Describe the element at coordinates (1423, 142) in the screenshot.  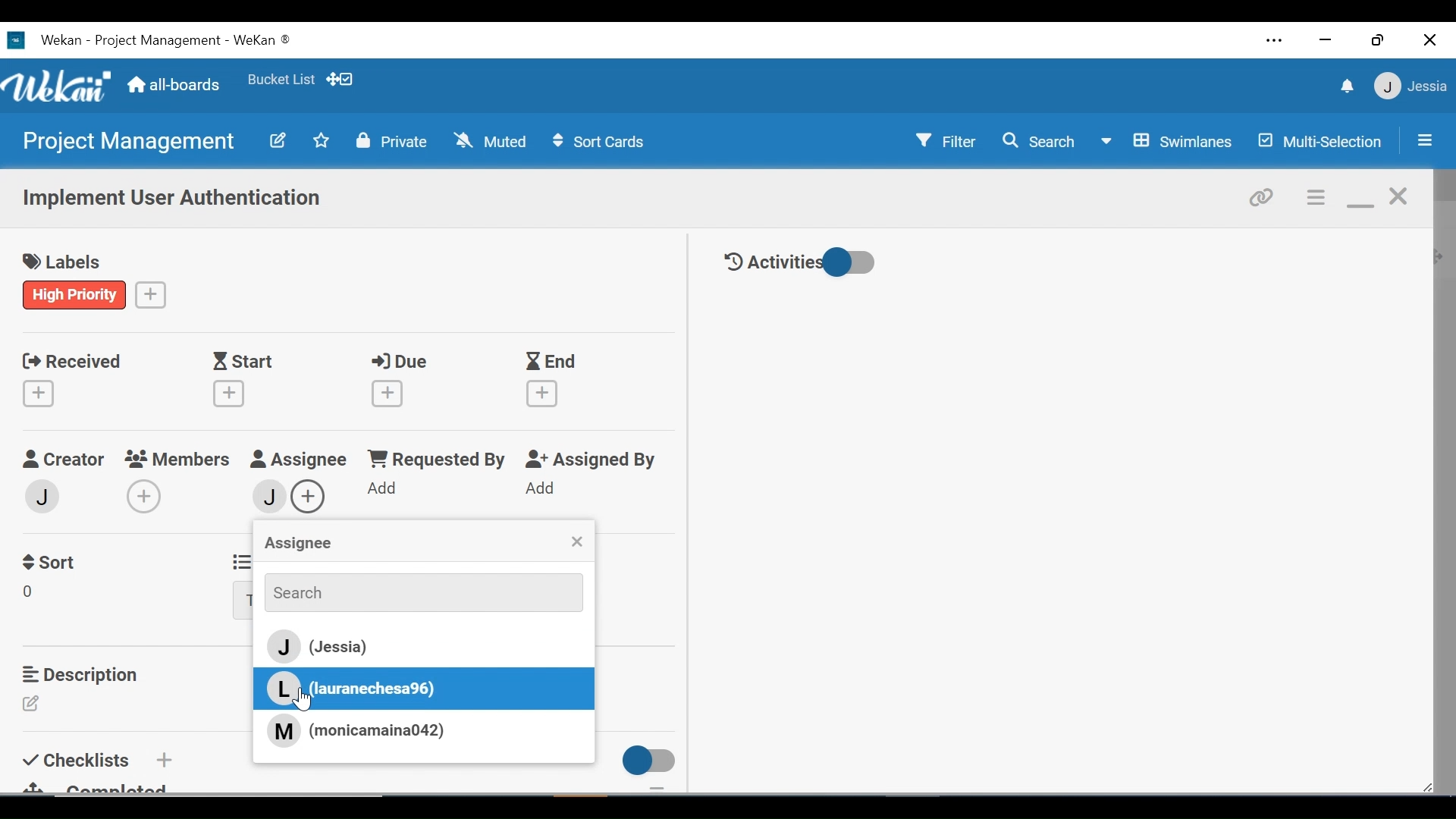
I see `Open/Close Sidebar` at that location.